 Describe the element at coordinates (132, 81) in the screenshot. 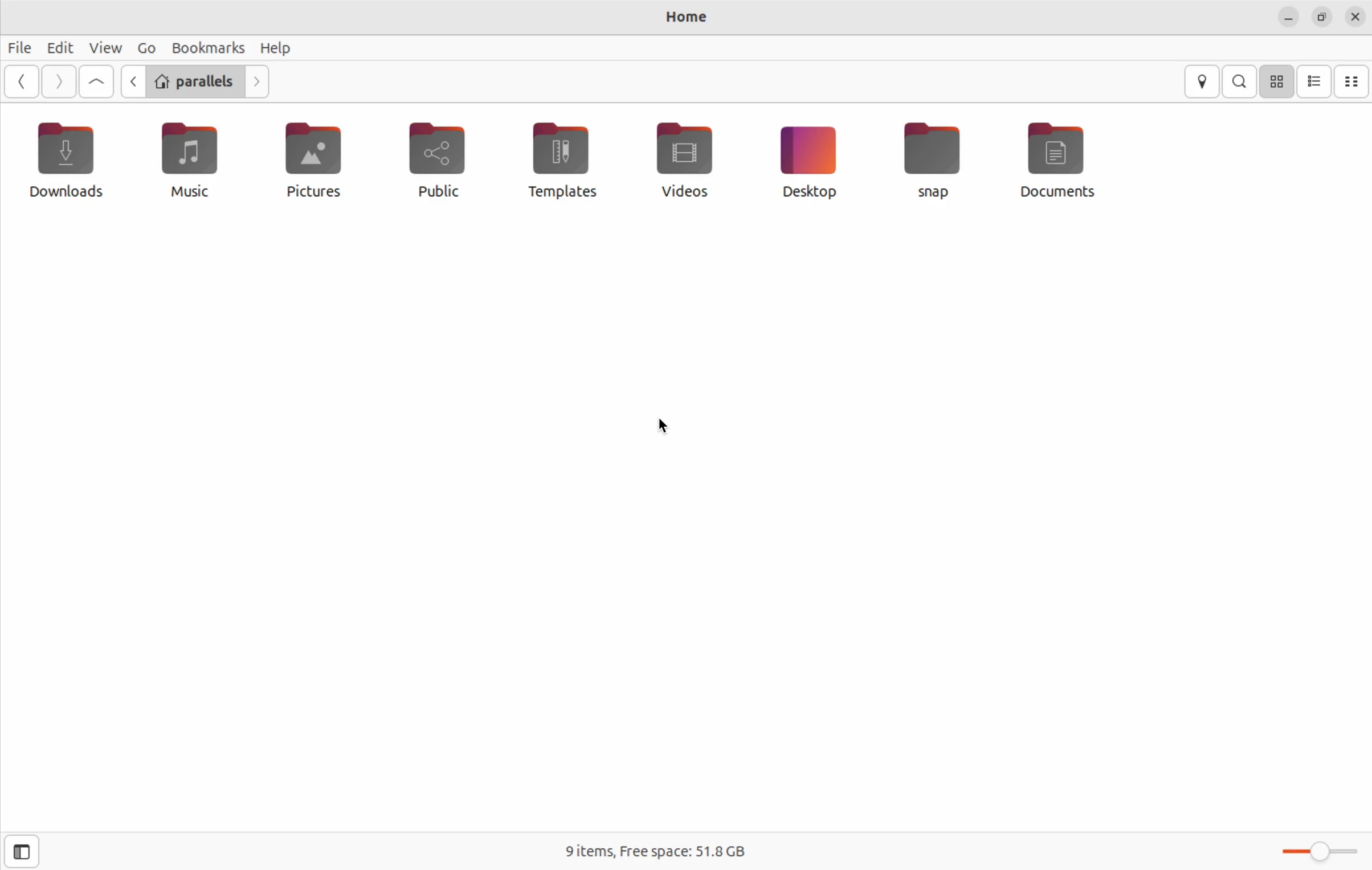

I see `go back` at that location.